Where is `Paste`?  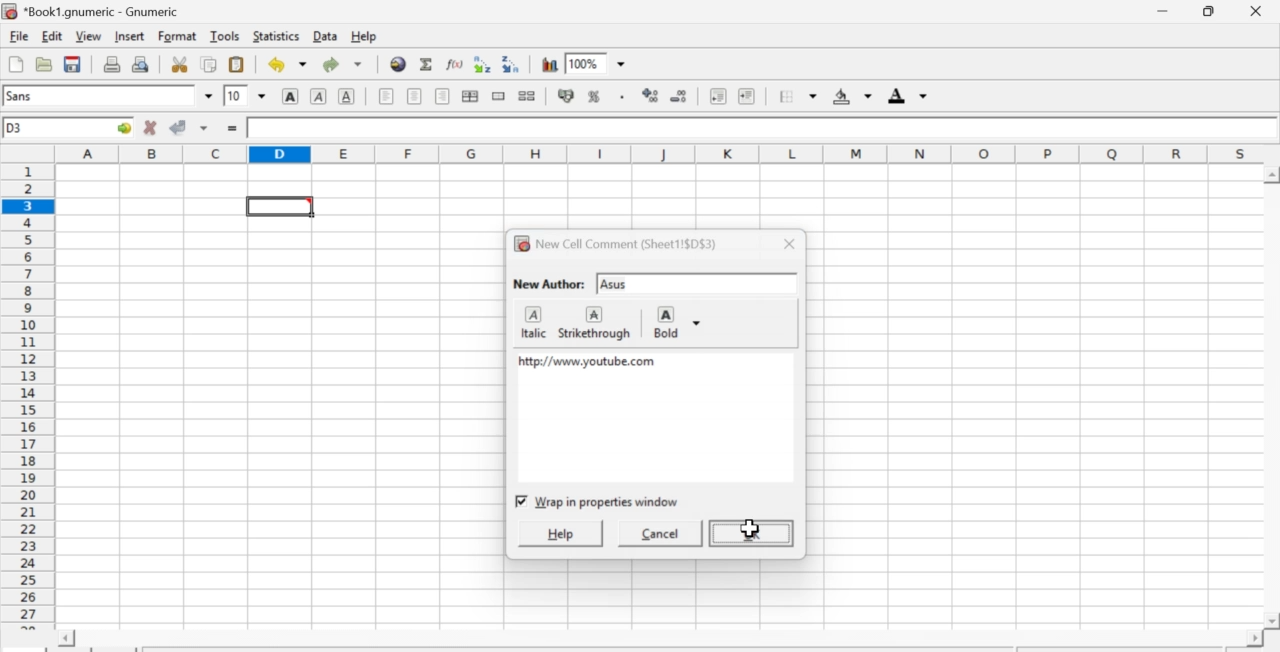
Paste is located at coordinates (237, 66).